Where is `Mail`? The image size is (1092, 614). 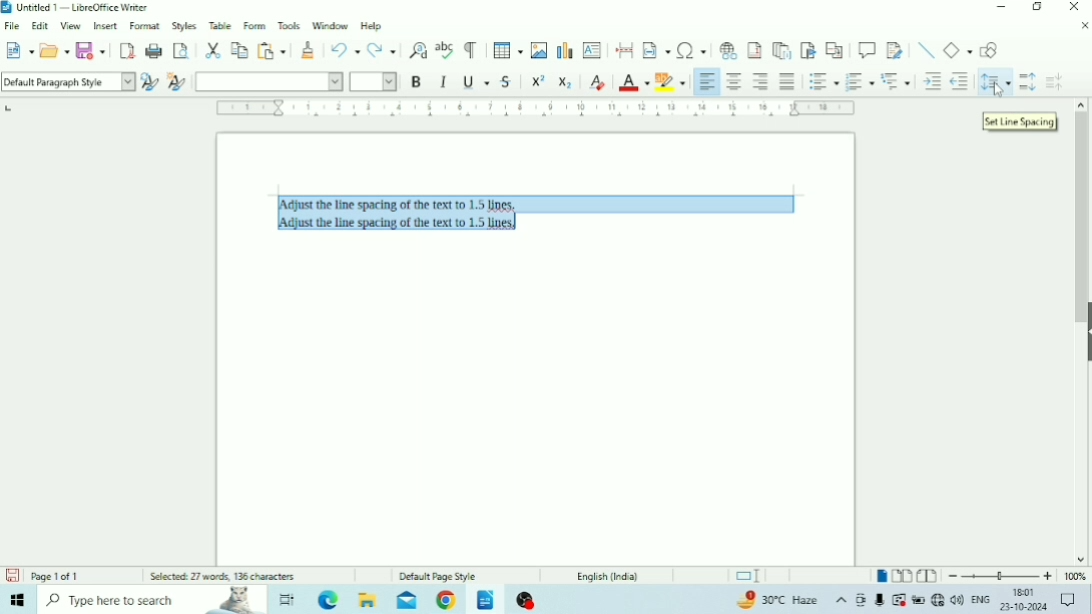 Mail is located at coordinates (408, 600).